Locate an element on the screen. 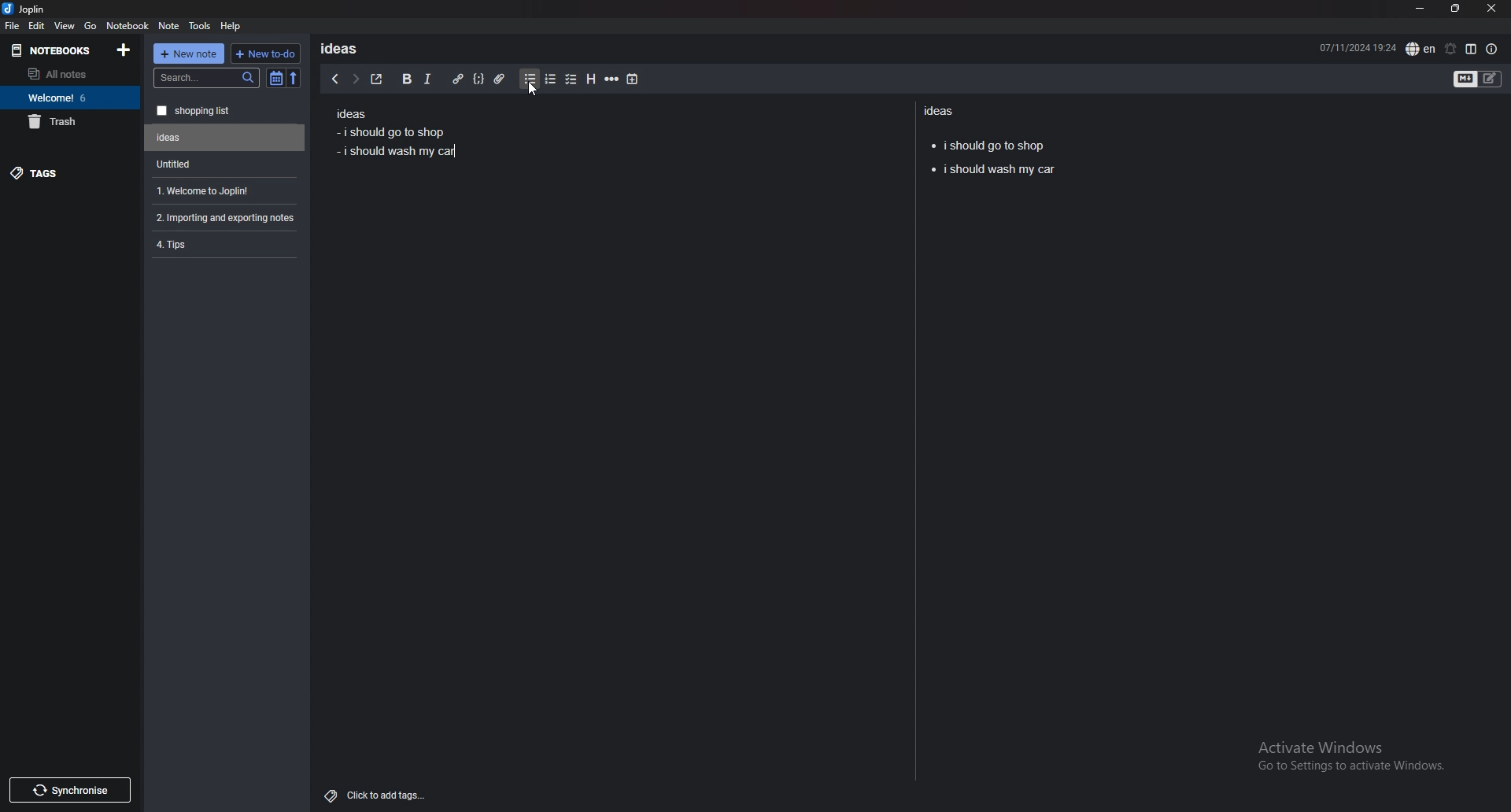 The image size is (1511, 812). Welcome is located at coordinates (69, 97).